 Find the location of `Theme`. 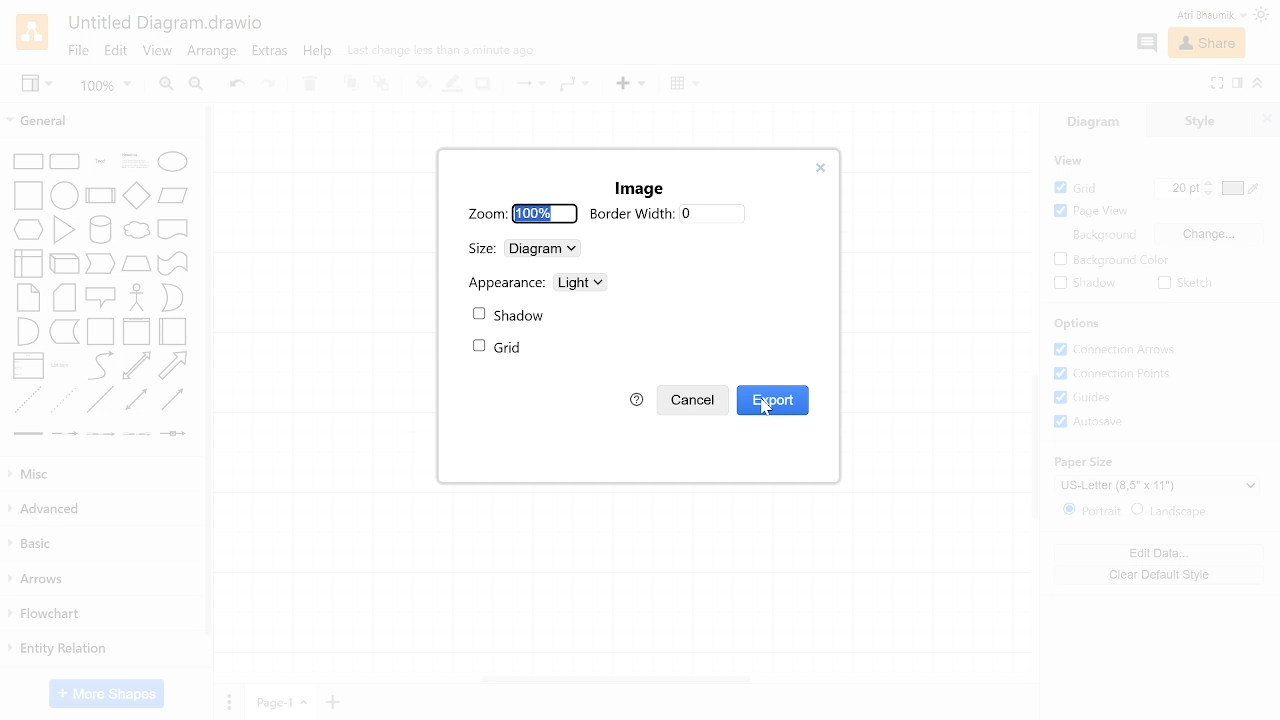

Theme is located at coordinates (1262, 14).